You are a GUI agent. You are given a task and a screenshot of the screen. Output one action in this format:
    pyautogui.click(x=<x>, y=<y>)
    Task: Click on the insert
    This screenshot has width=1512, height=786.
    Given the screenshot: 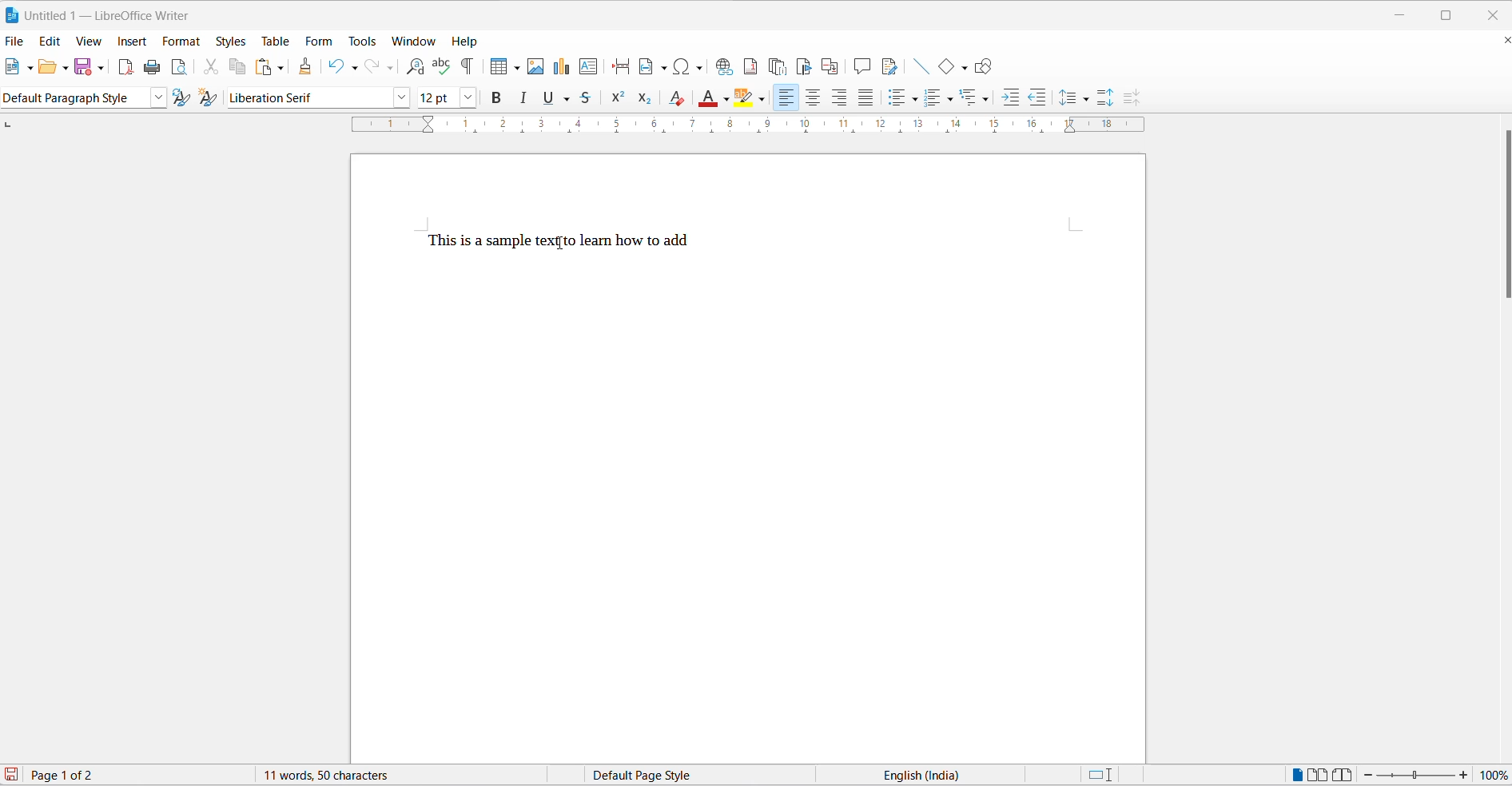 What is the action you would take?
    pyautogui.click(x=131, y=40)
    